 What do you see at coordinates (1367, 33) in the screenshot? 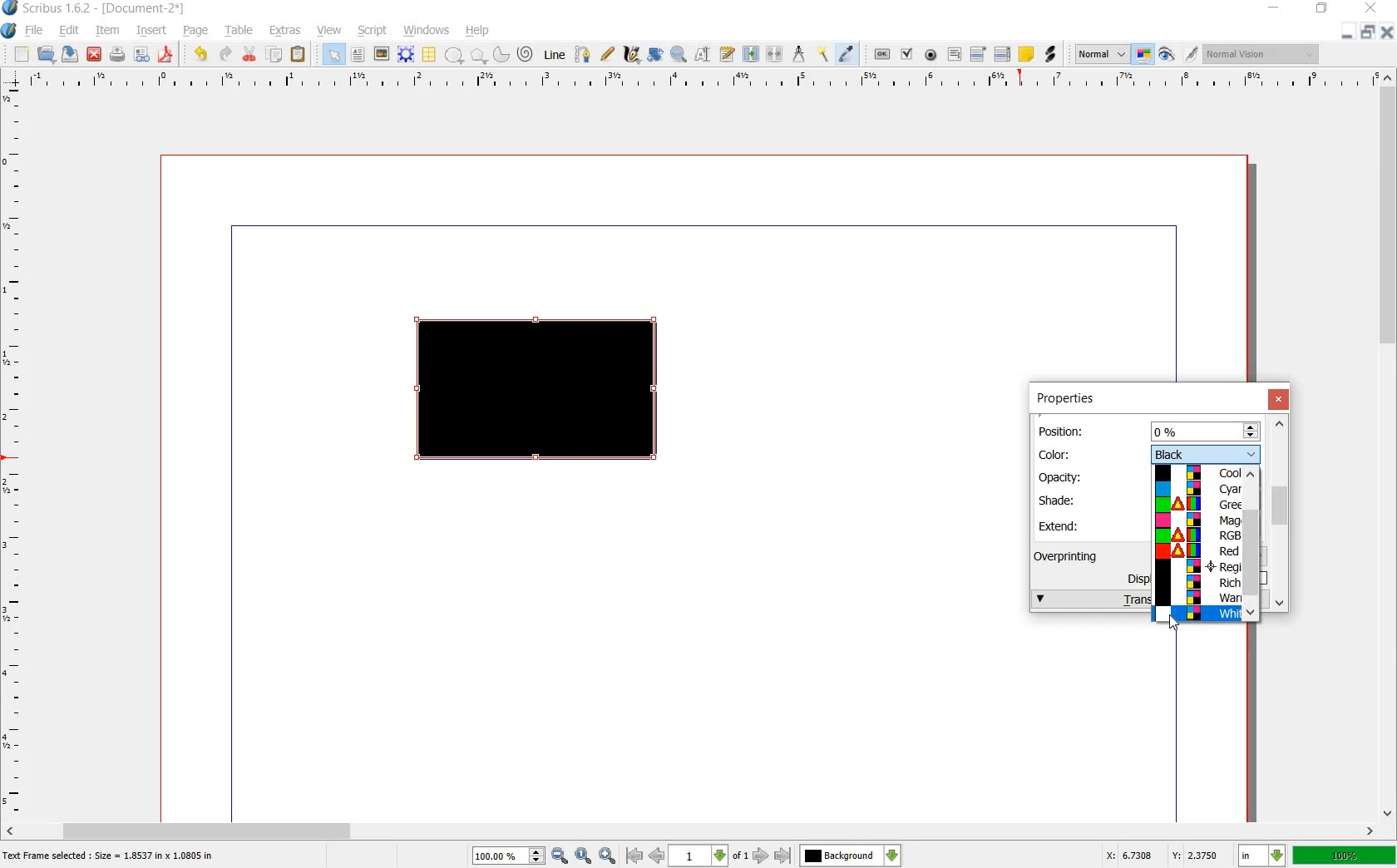
I see `restore` at bounding box center [1367, 33].